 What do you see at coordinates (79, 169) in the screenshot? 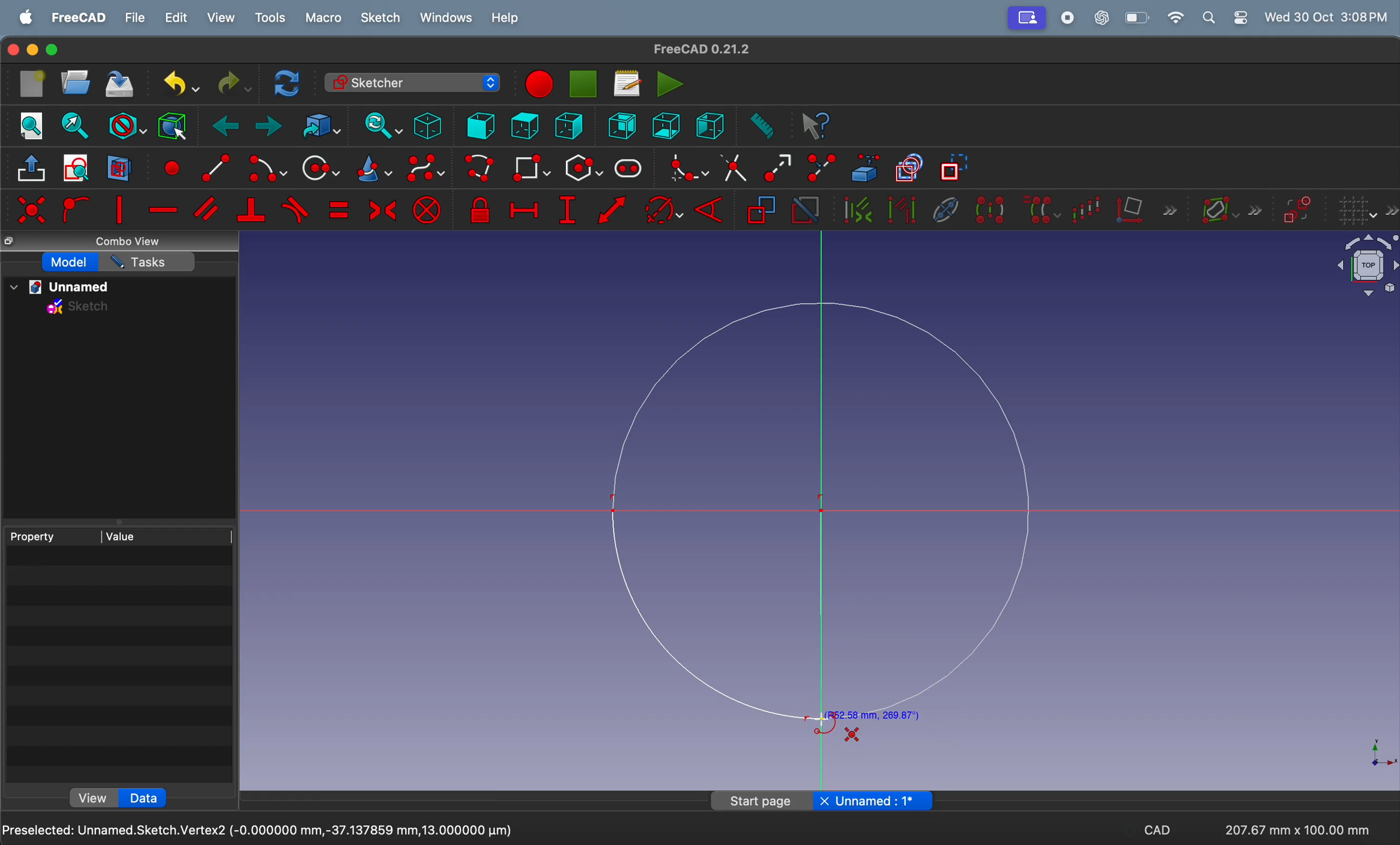
I see `view sketch` at bounding box center [79, 169].